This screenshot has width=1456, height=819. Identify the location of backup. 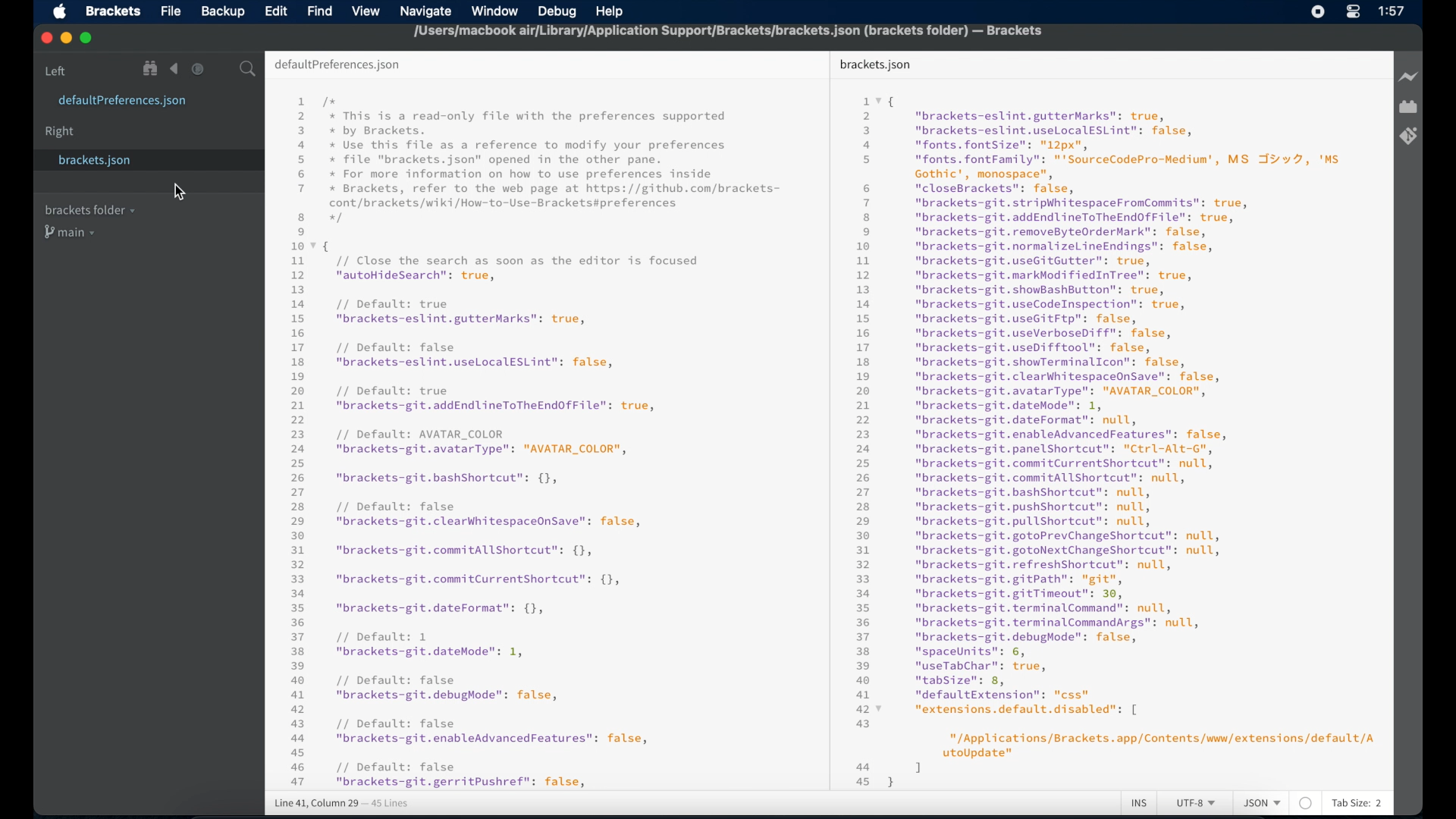
(223, 11).